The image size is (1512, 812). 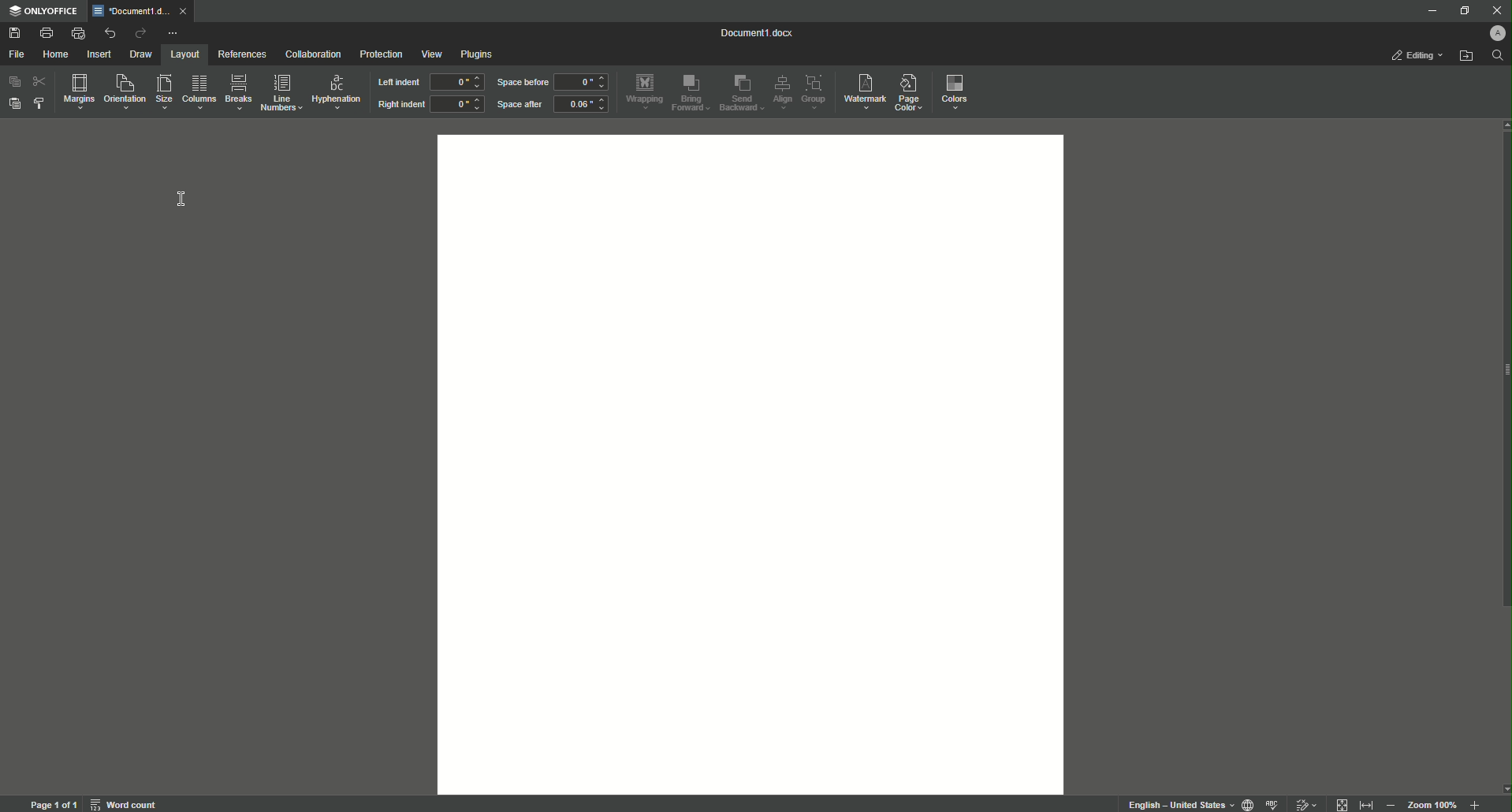 I want to click on Align, so click(x=783, y=91).